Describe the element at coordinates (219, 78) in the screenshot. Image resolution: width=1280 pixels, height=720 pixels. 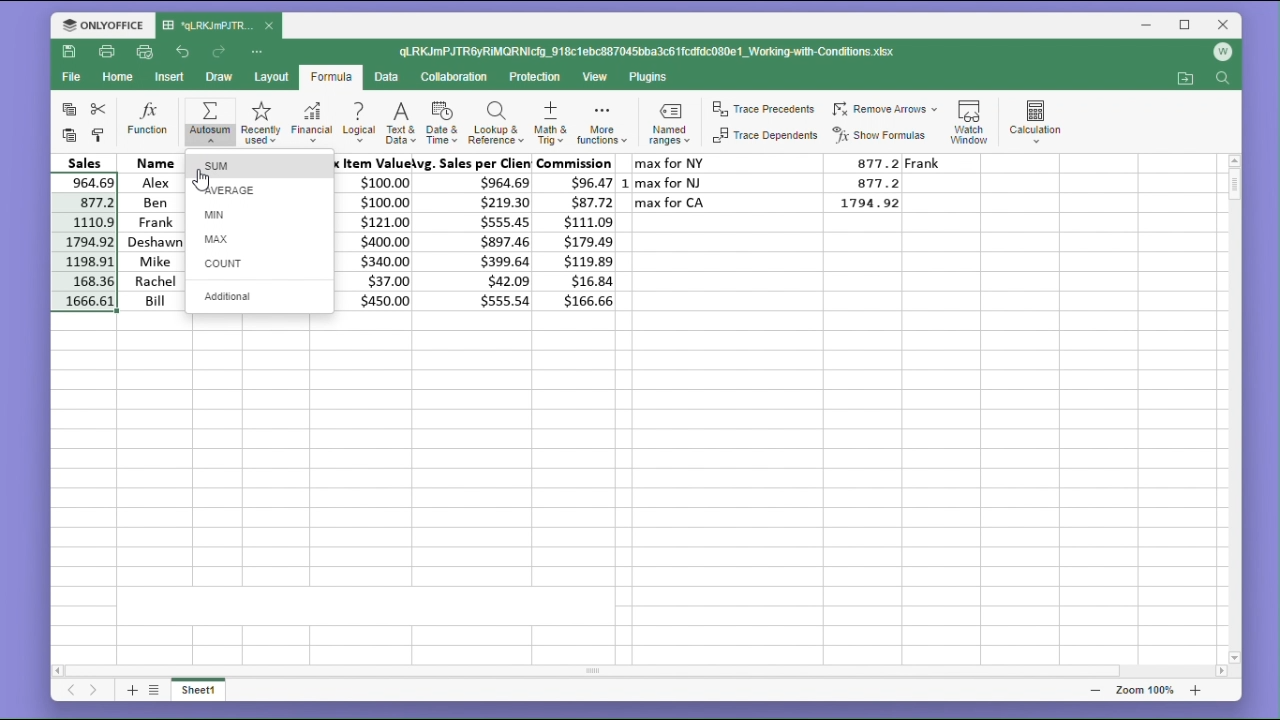
I see `draw` at that location.